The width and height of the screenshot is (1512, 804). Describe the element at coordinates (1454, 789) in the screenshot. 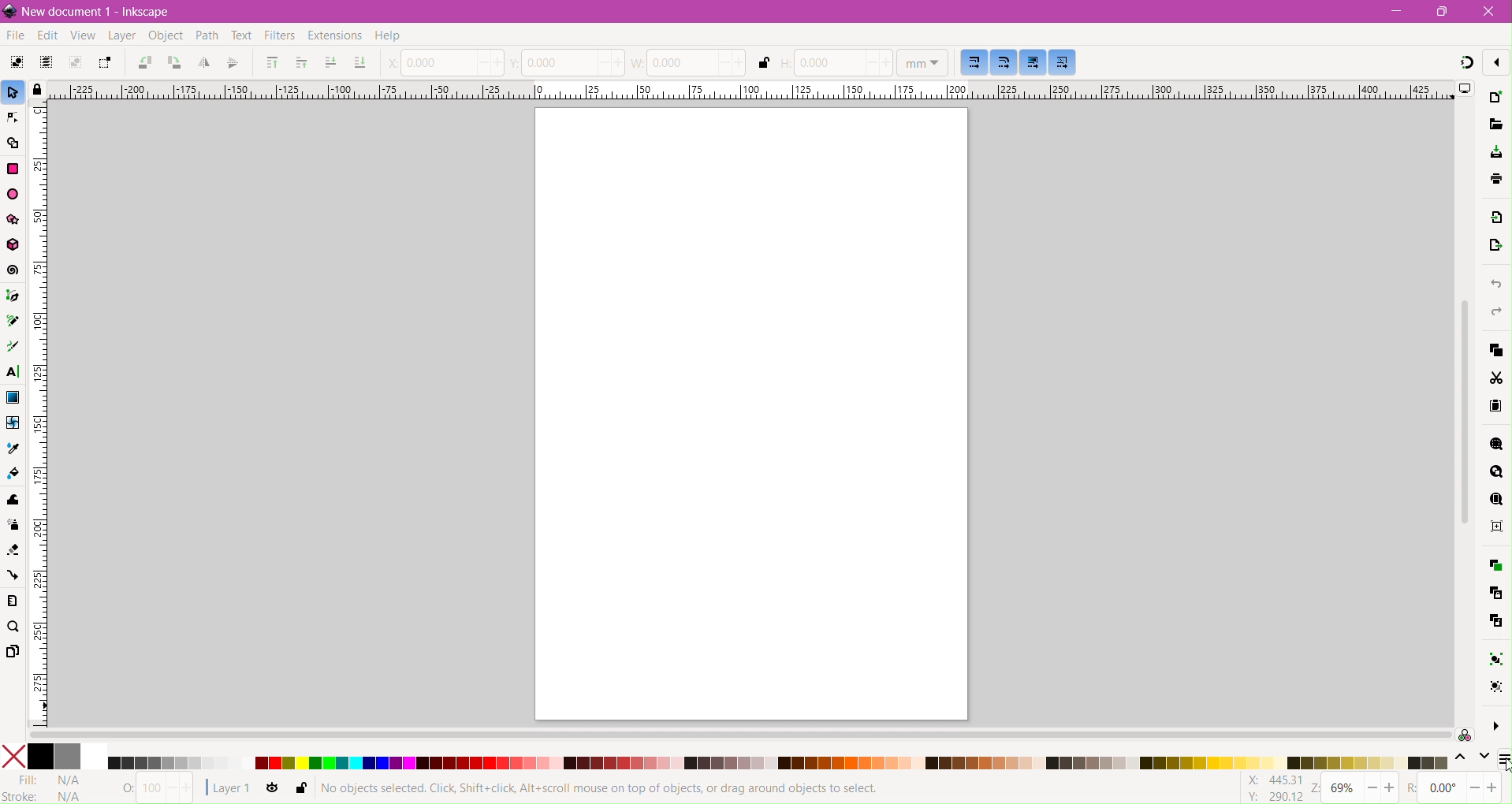

I see `Rotation` at that location.